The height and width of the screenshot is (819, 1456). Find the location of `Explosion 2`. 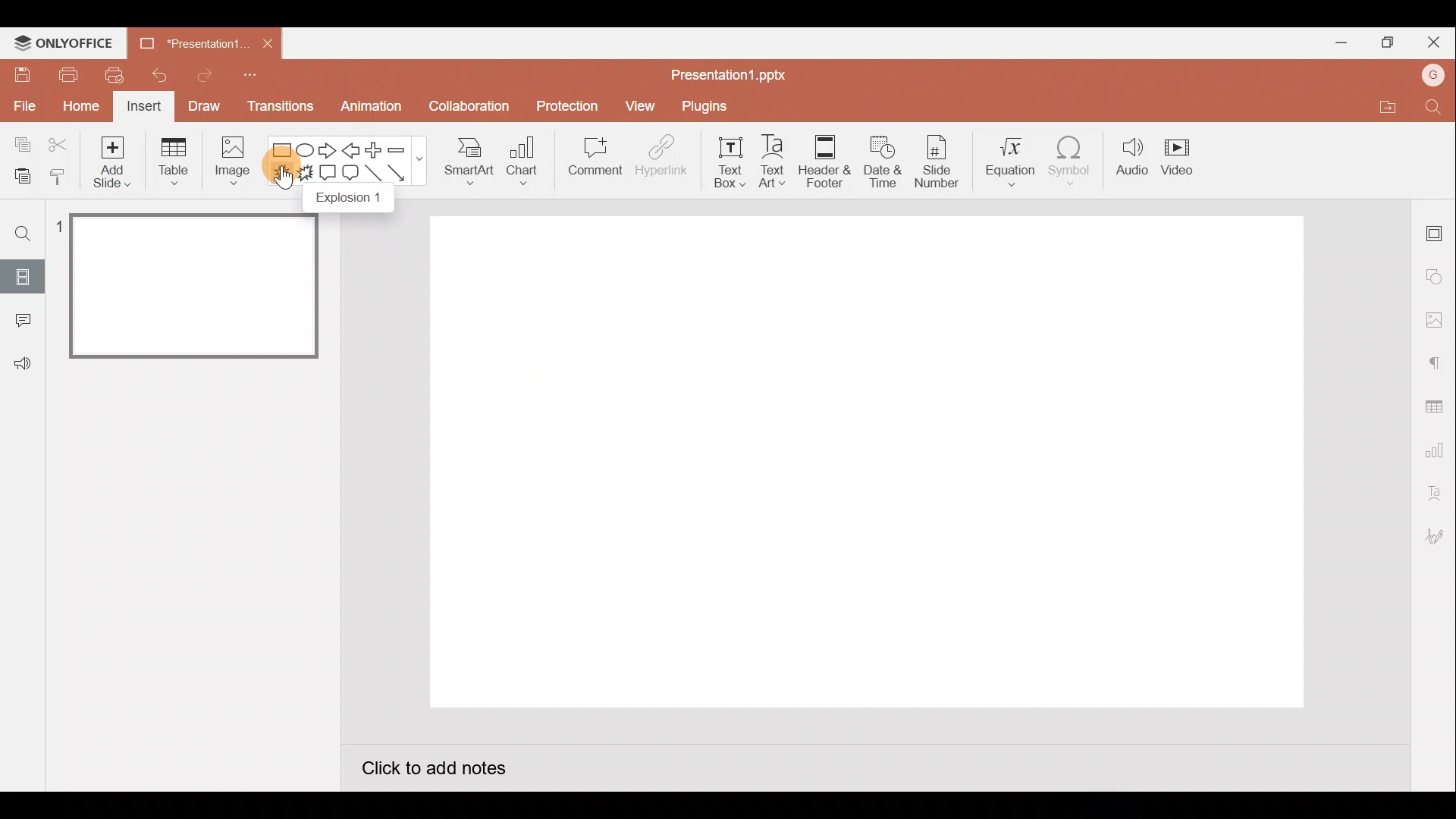

Explosion 2 is located at coordinates (306, 177).